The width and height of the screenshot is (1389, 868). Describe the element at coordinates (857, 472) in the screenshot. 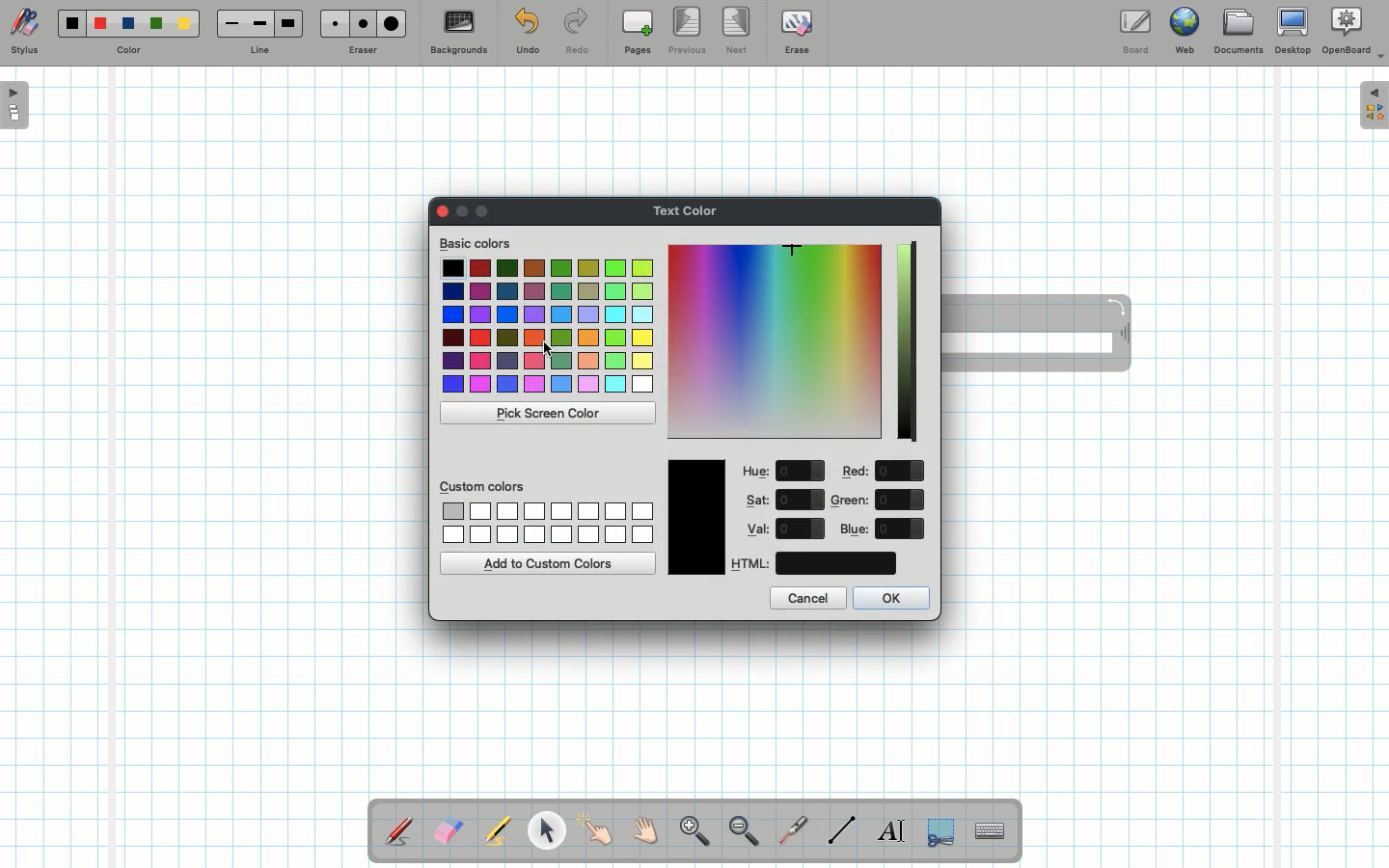

I see `Red` at that location.